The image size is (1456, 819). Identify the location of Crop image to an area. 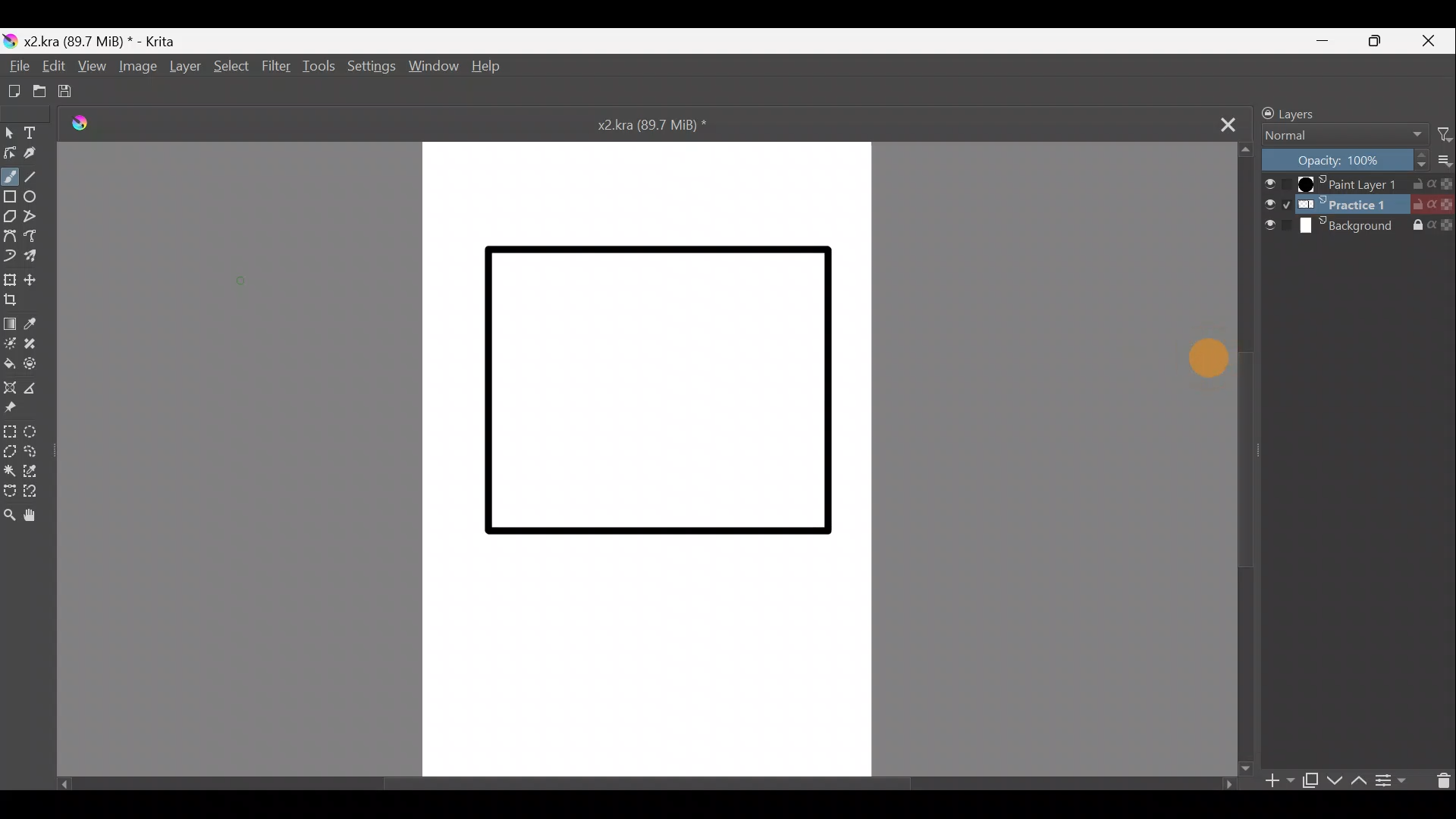
(18, 301).